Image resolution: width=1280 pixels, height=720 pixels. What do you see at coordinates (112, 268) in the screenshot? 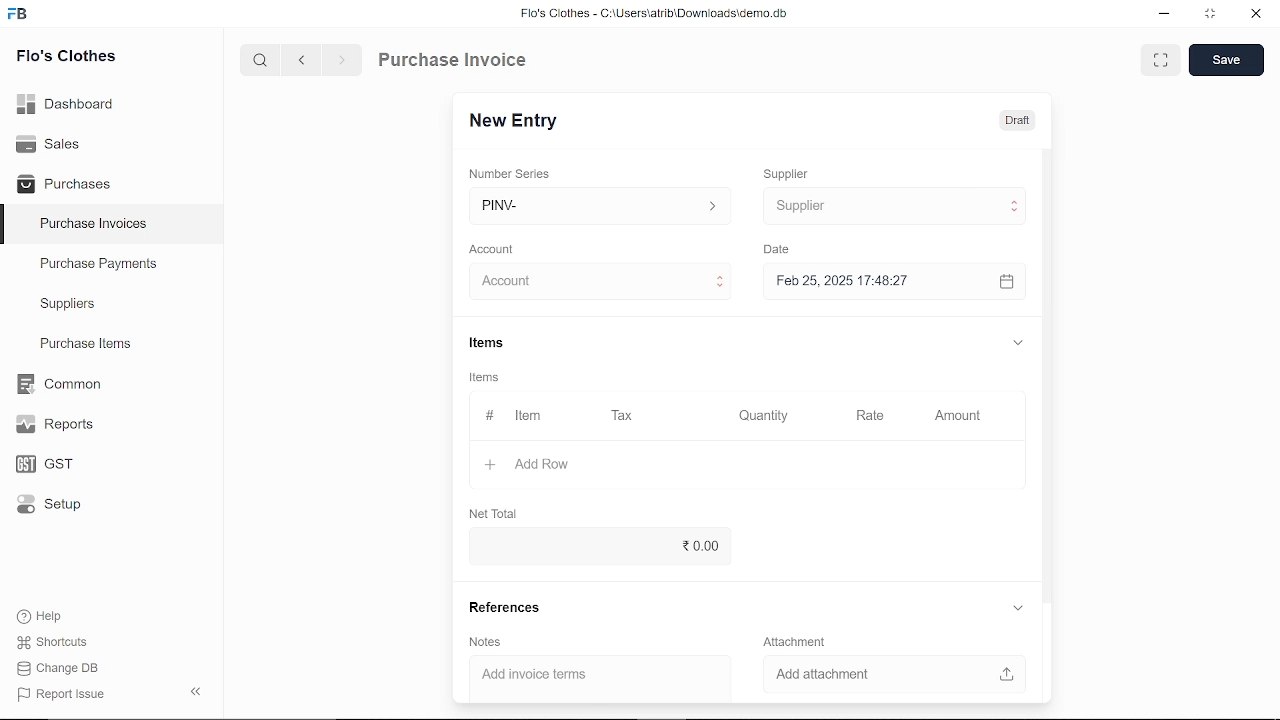
I see `Purchase Payments` at bounding box center [112, 268].